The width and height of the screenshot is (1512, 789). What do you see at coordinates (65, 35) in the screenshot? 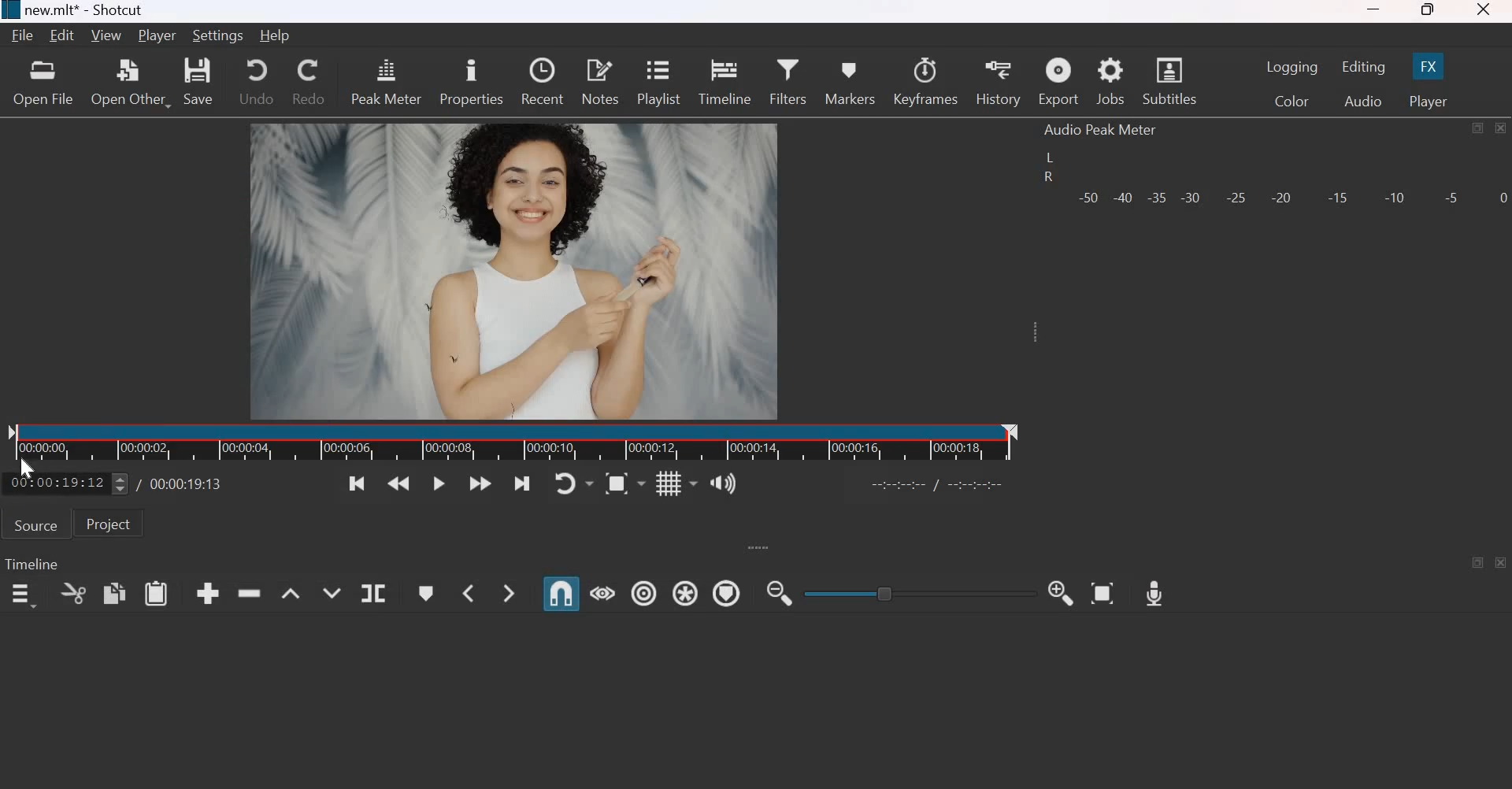
I see `Edit` at bounding box center [65, 35].